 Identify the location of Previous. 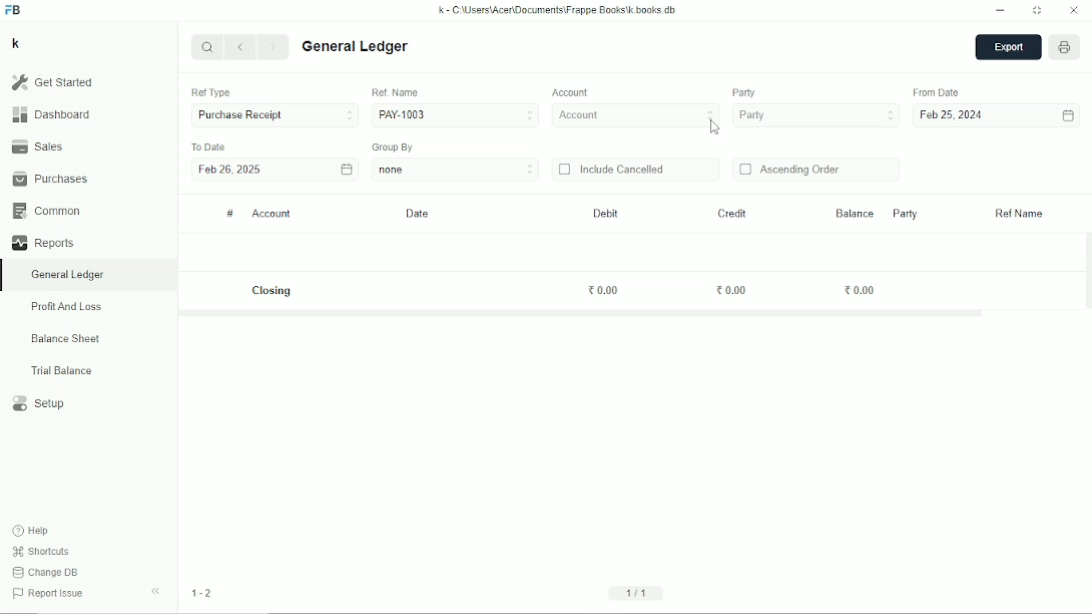
(242, 48).